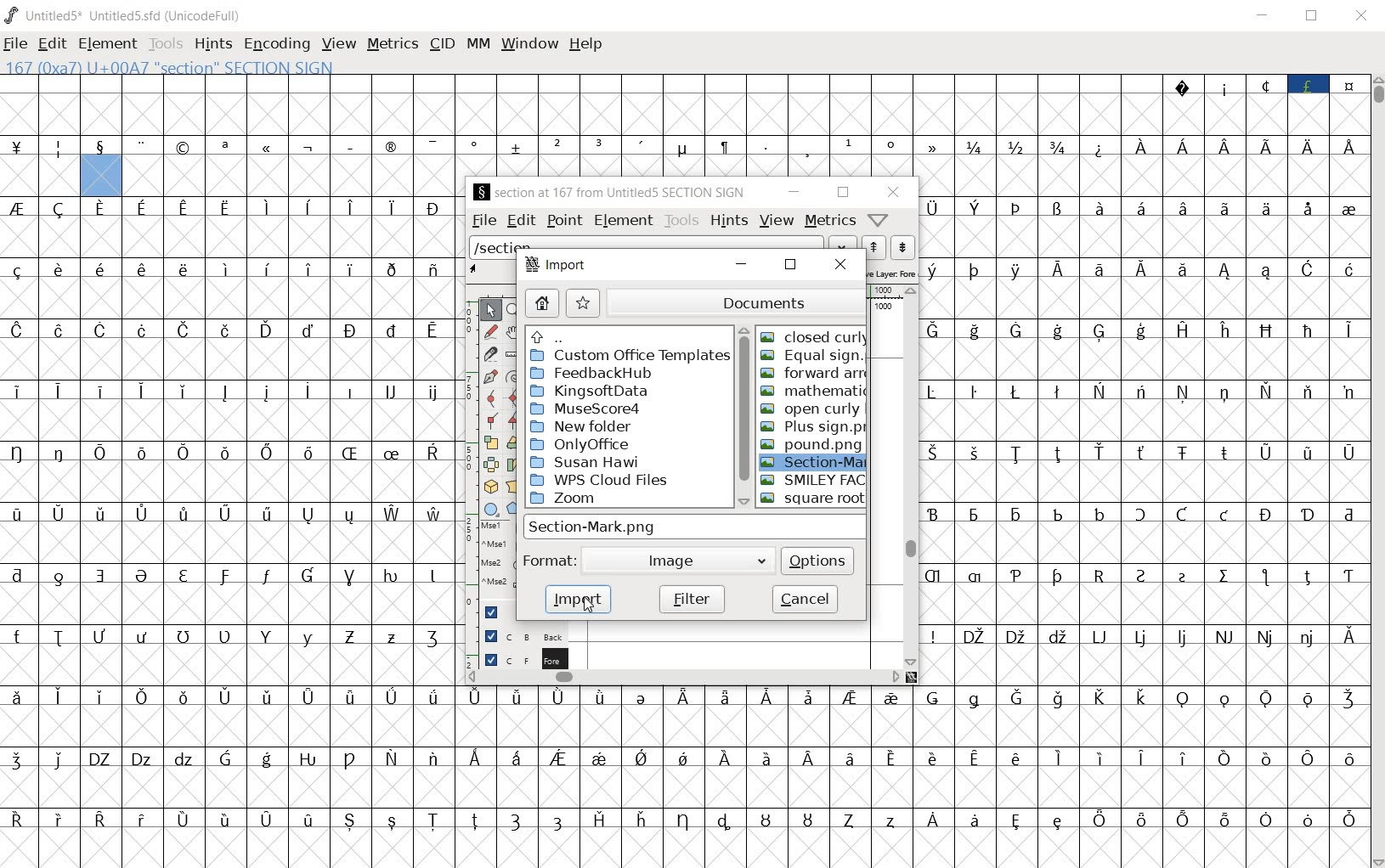 Image resolution: width=1385 pixels, height=868 pixels. What do you see at coordinates (623, 222) in the screenshot?
I see `element` at bounding box center [623, 222].